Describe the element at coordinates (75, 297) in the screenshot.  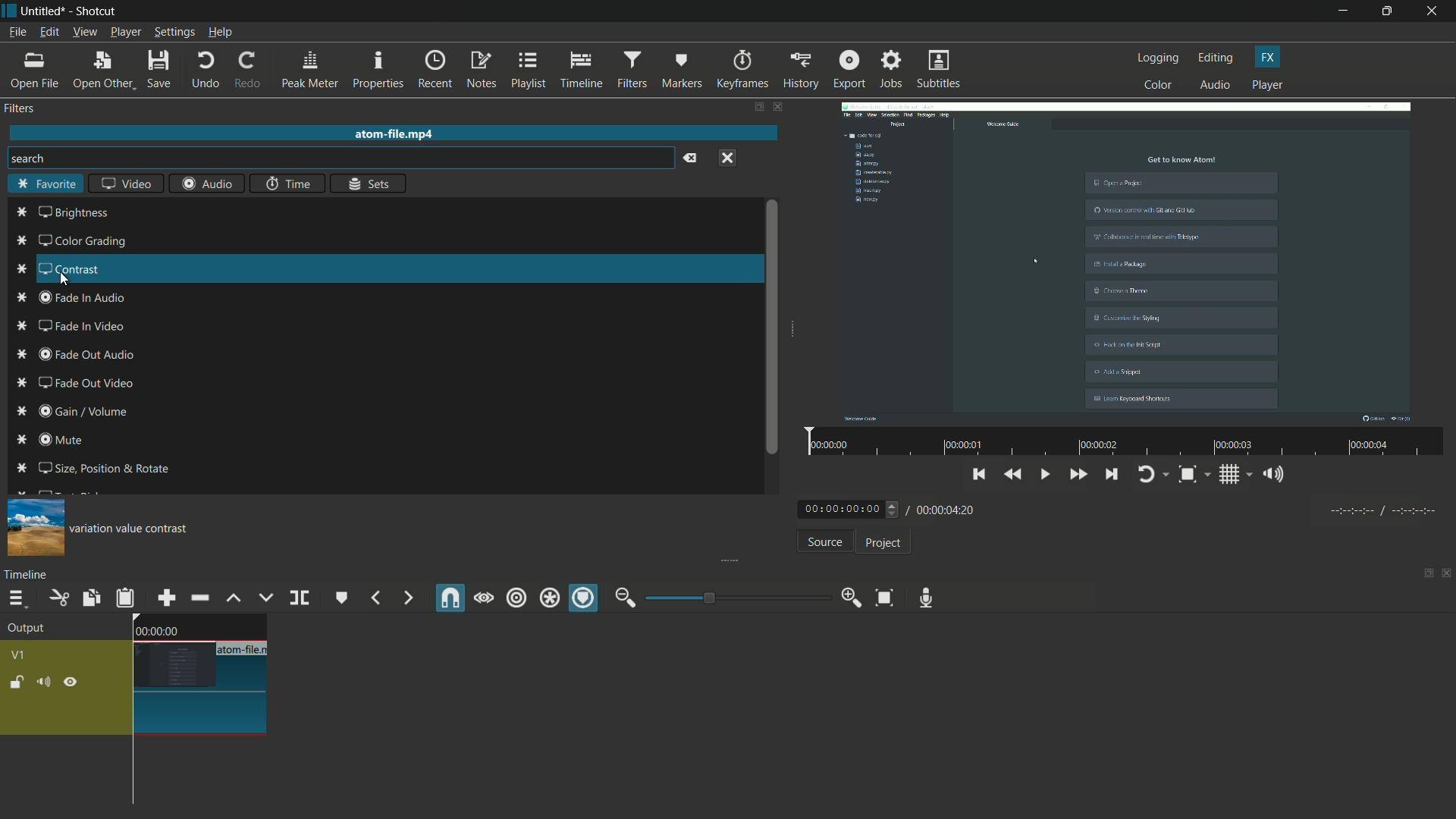
I see `fade in audio` at that location.